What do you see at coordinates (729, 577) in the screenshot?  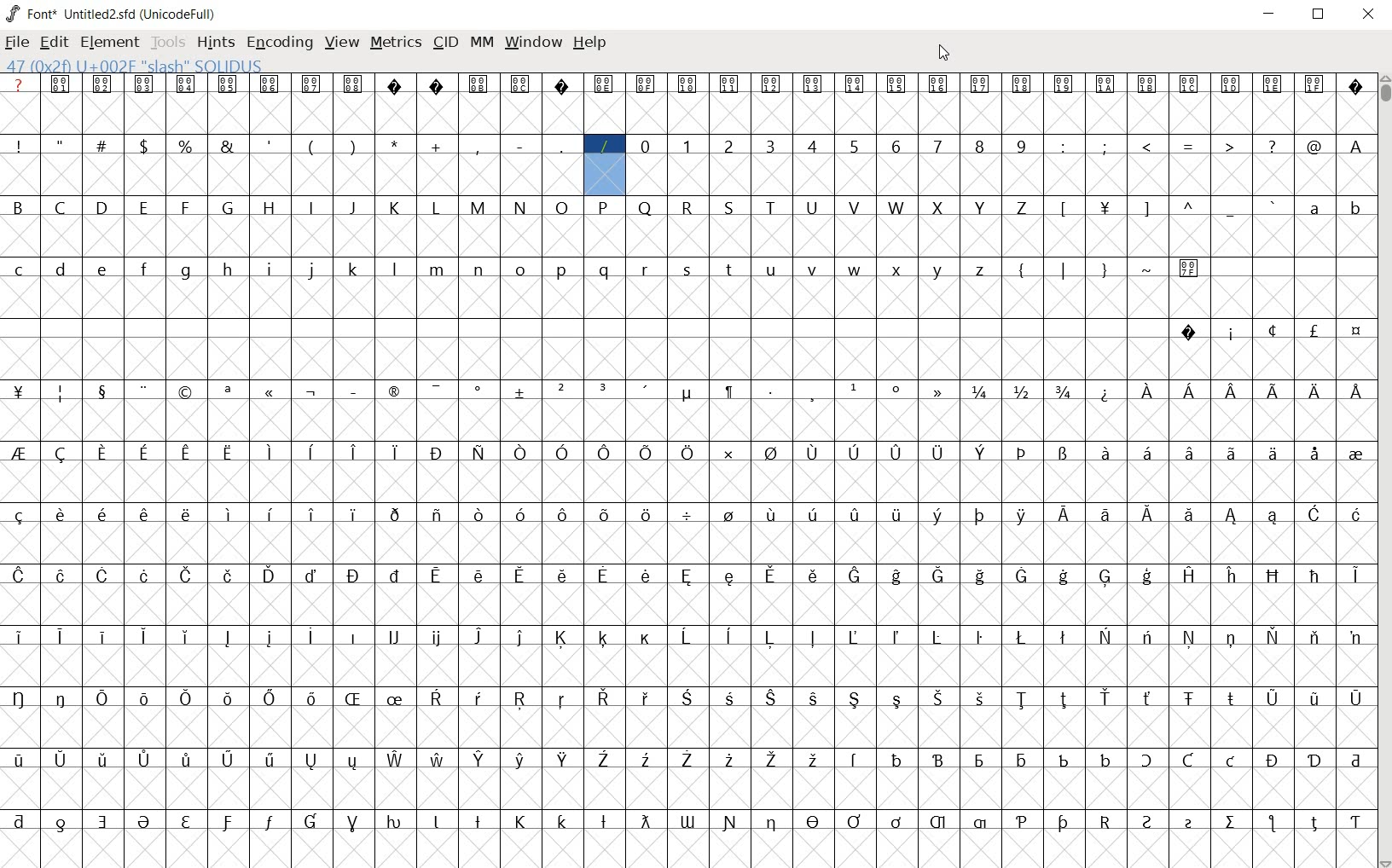 I see `glyph` at bounding box center [729, 577].